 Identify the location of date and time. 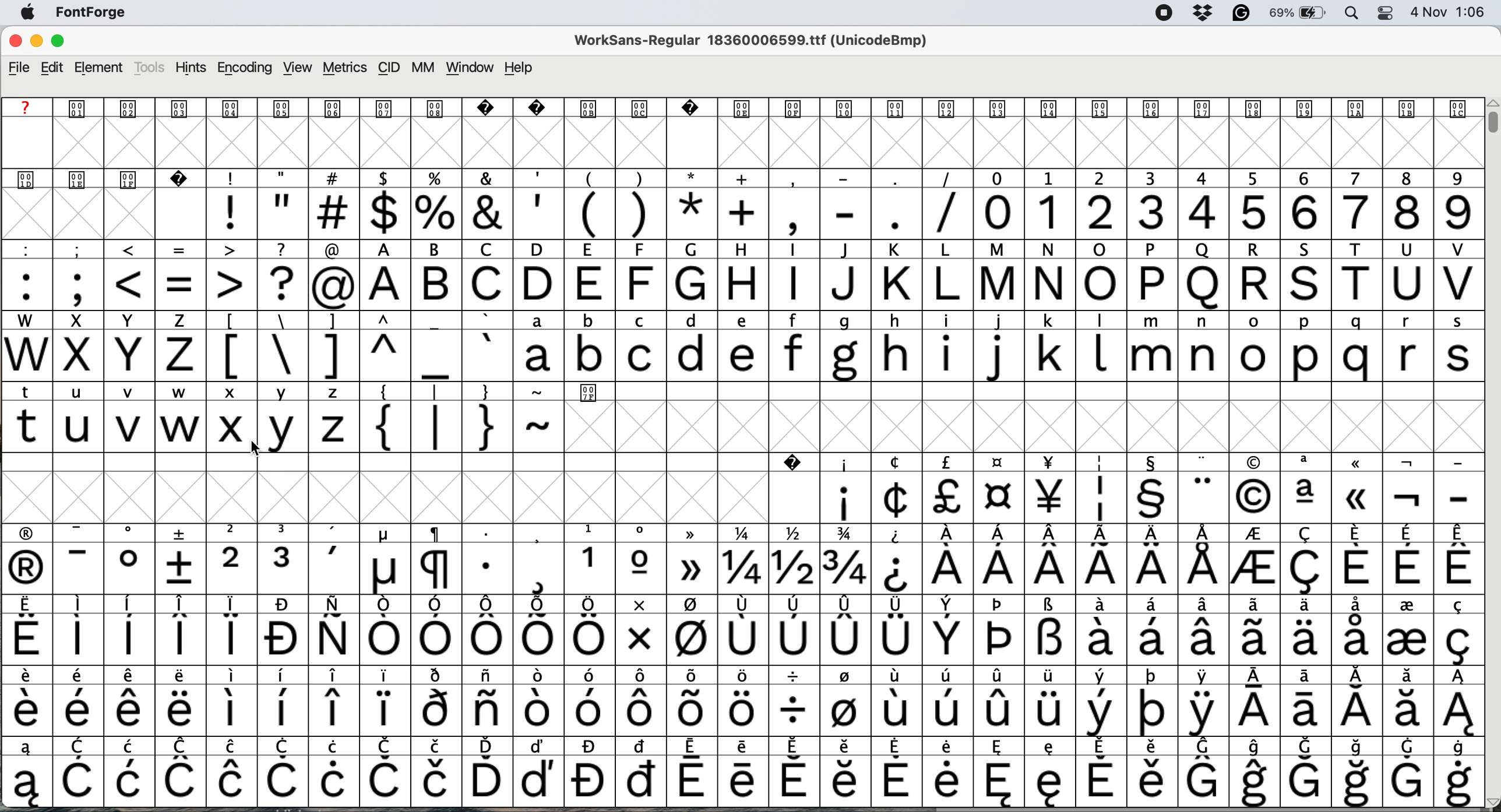
(1449, 12).